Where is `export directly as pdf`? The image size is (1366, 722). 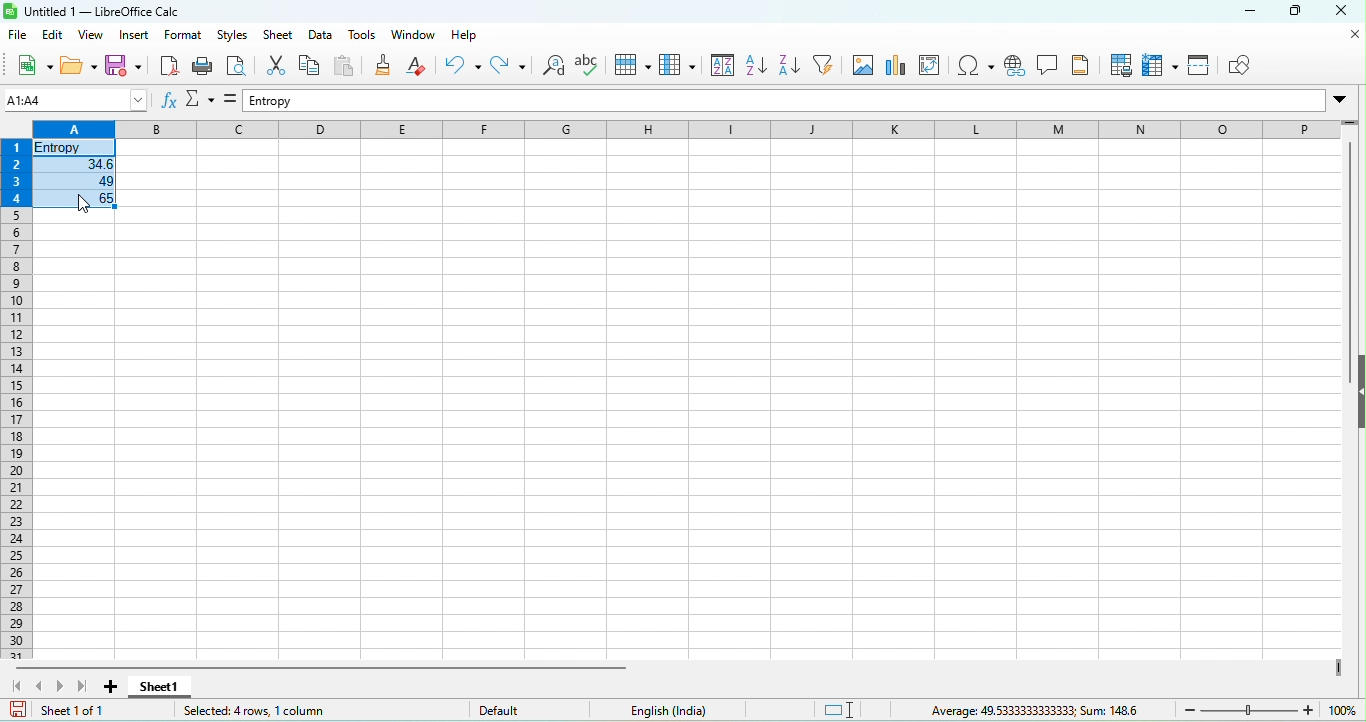 export directly as pdf is located at coordinates (172, 65).